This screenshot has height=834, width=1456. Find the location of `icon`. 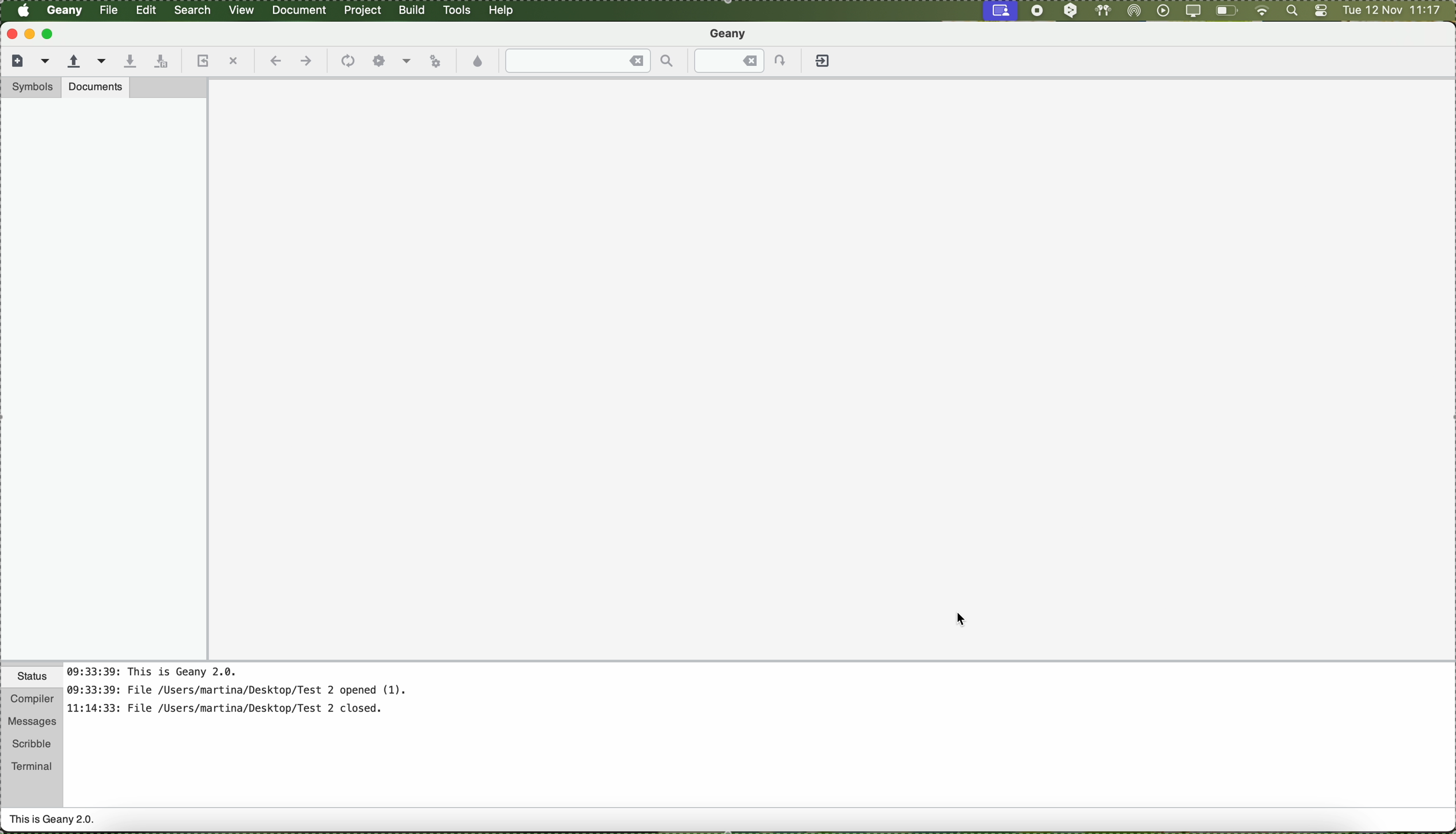

icon is located at coordinates (379, 61).